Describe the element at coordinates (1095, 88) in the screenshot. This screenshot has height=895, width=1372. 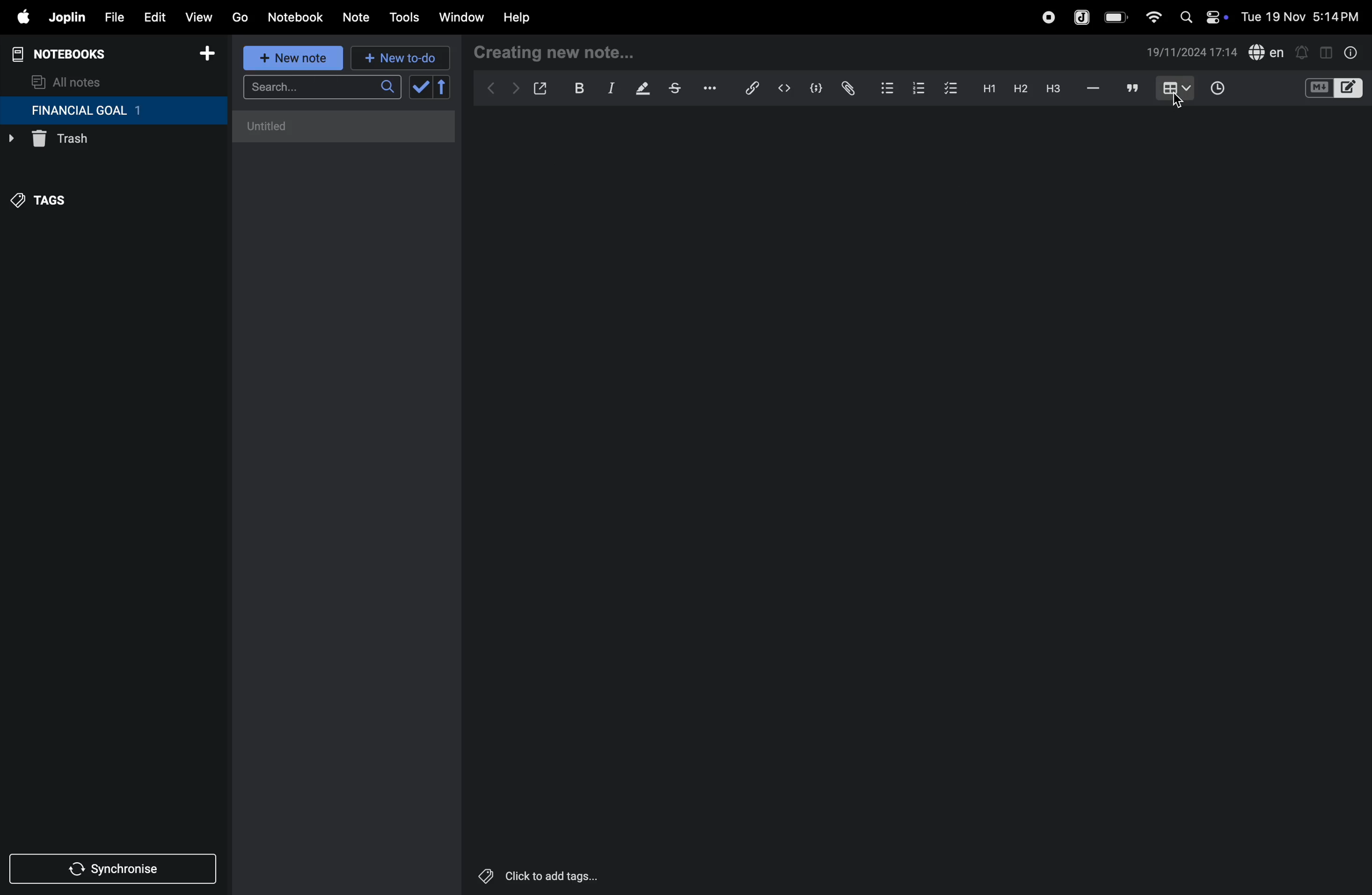
I see `hifen` at that location.